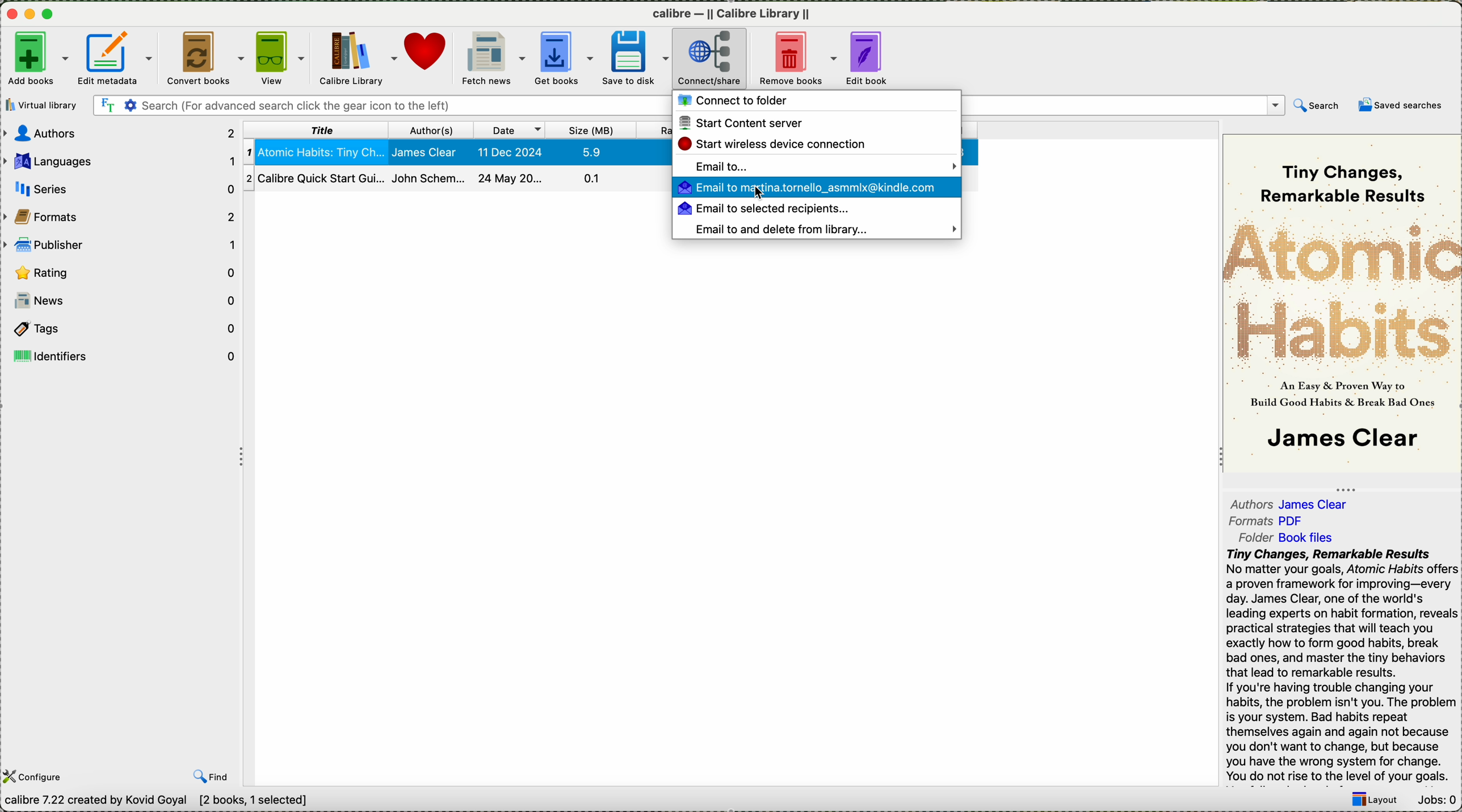  What do you see at coordinates (1376, 800) in the screenshot?
I see `layout` at bounding box center [1376, 800].